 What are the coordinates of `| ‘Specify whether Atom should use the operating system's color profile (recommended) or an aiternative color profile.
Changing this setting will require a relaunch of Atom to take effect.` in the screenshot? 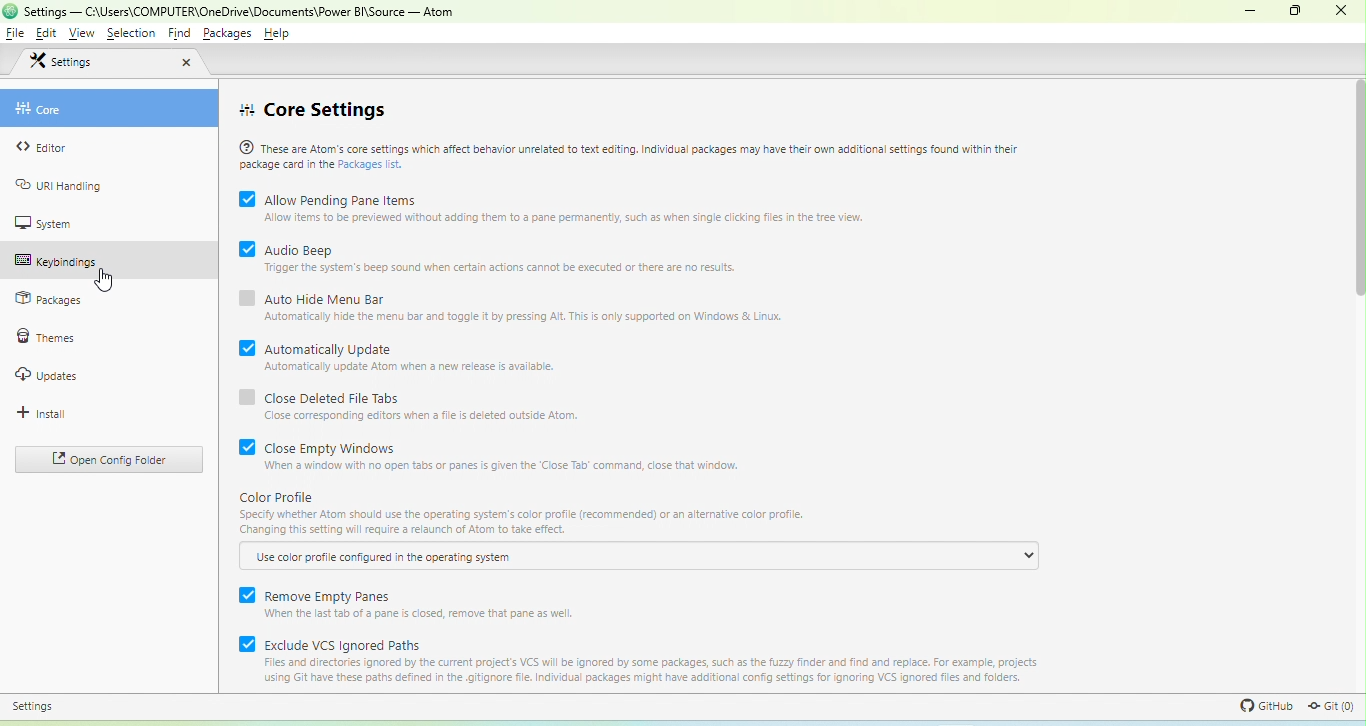 It's located at (518, 523).